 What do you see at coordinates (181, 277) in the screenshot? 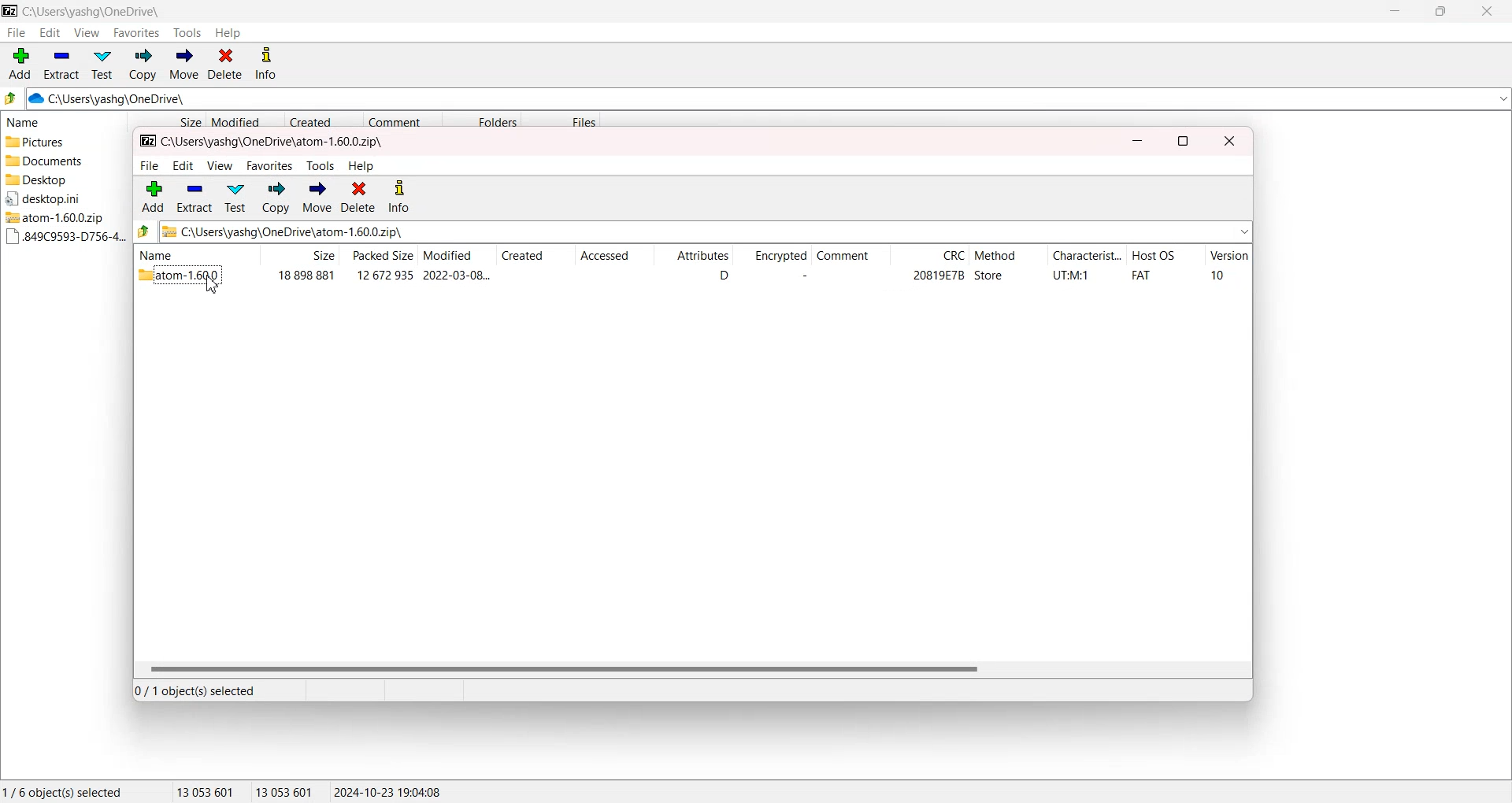
I see `atom File` at bounding box center [181, 277].